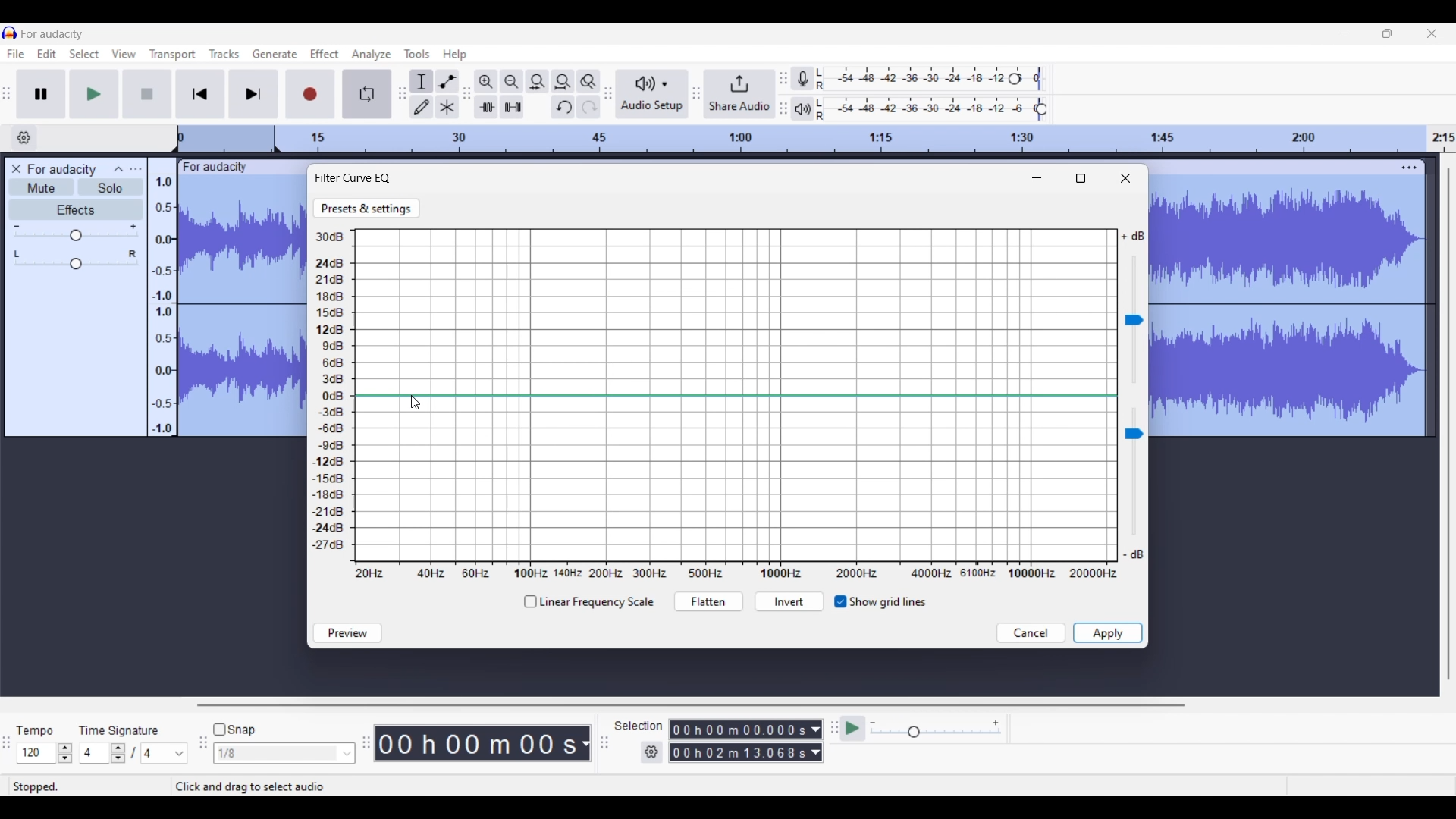 Image resolution: width=1456 pixels, height=819 pixels. I want to click on Effects, so click(76, 209).